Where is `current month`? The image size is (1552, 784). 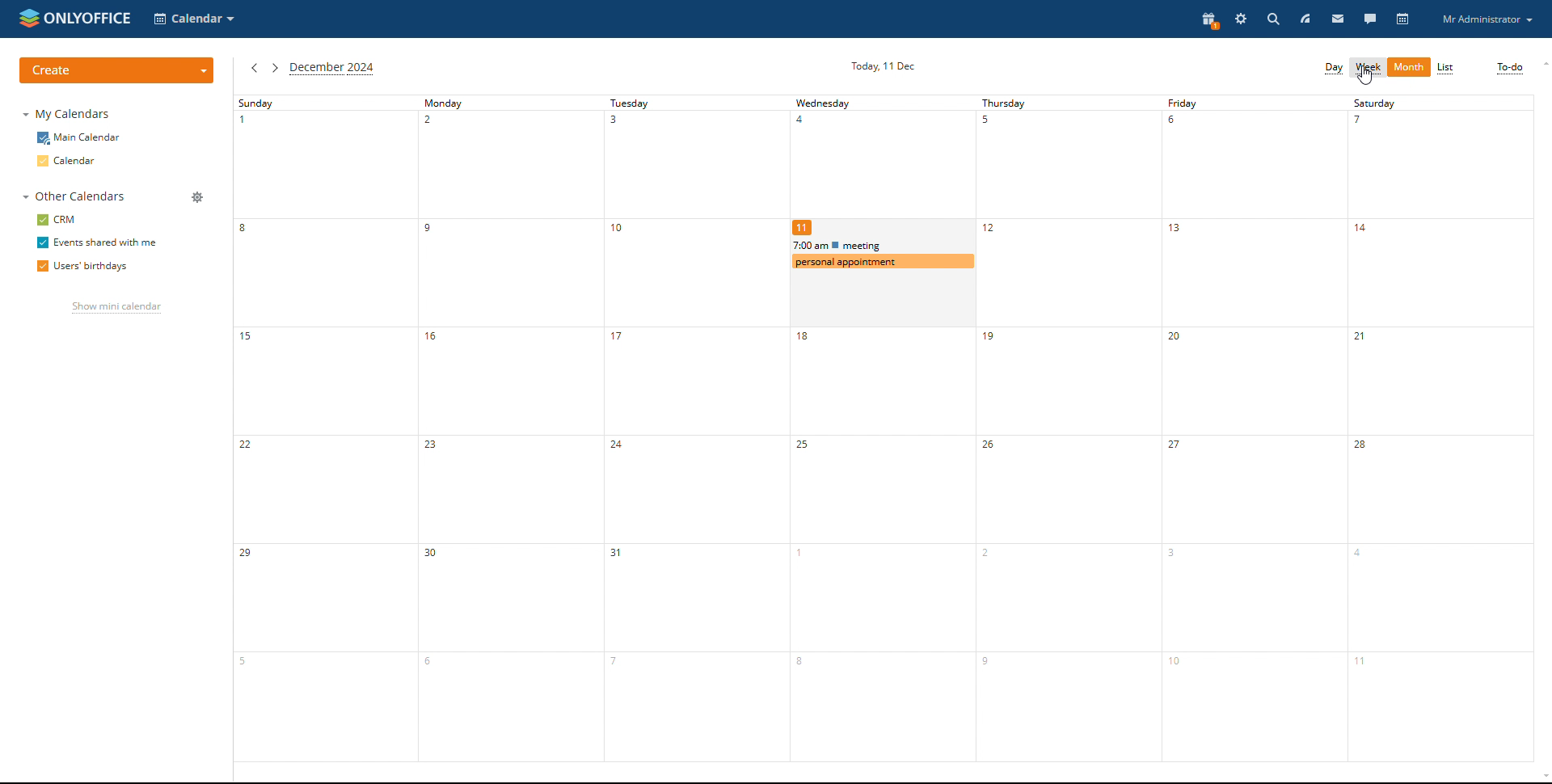
current month is located at coordinates (332, 68).